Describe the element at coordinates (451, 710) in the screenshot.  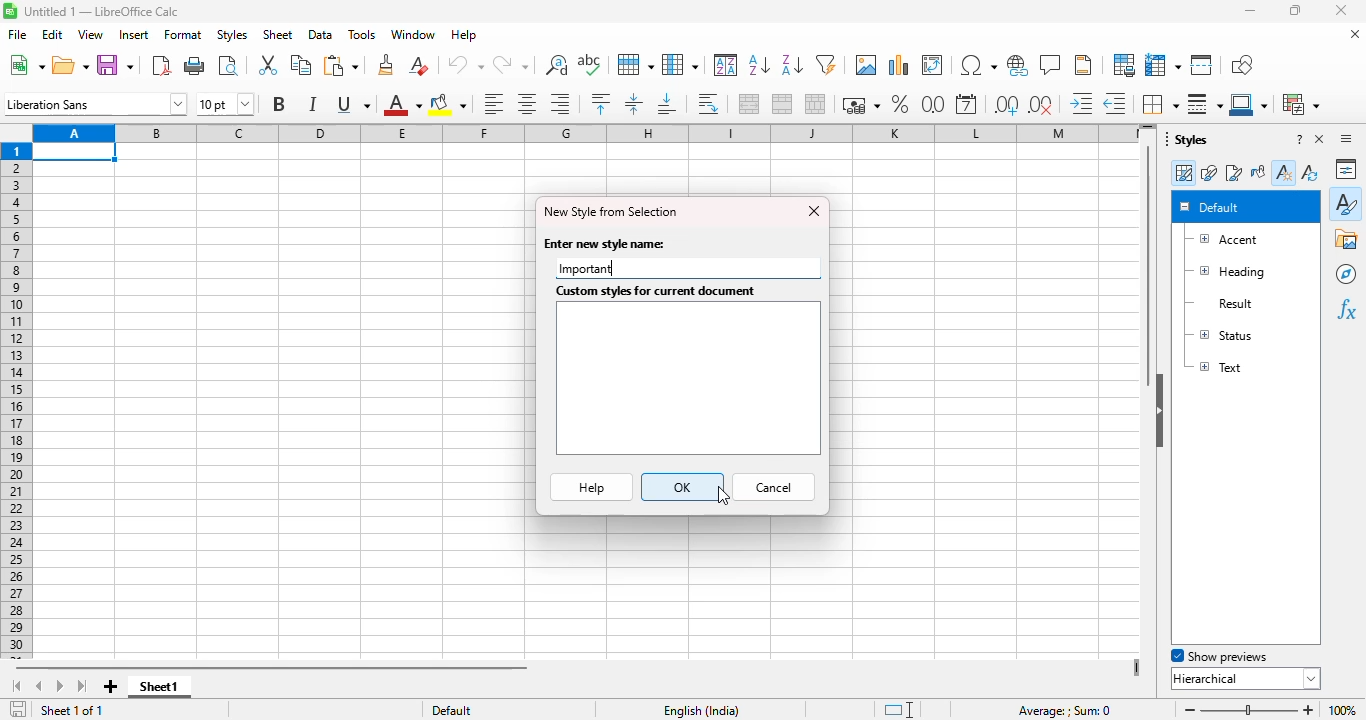
I see `default` at that location.